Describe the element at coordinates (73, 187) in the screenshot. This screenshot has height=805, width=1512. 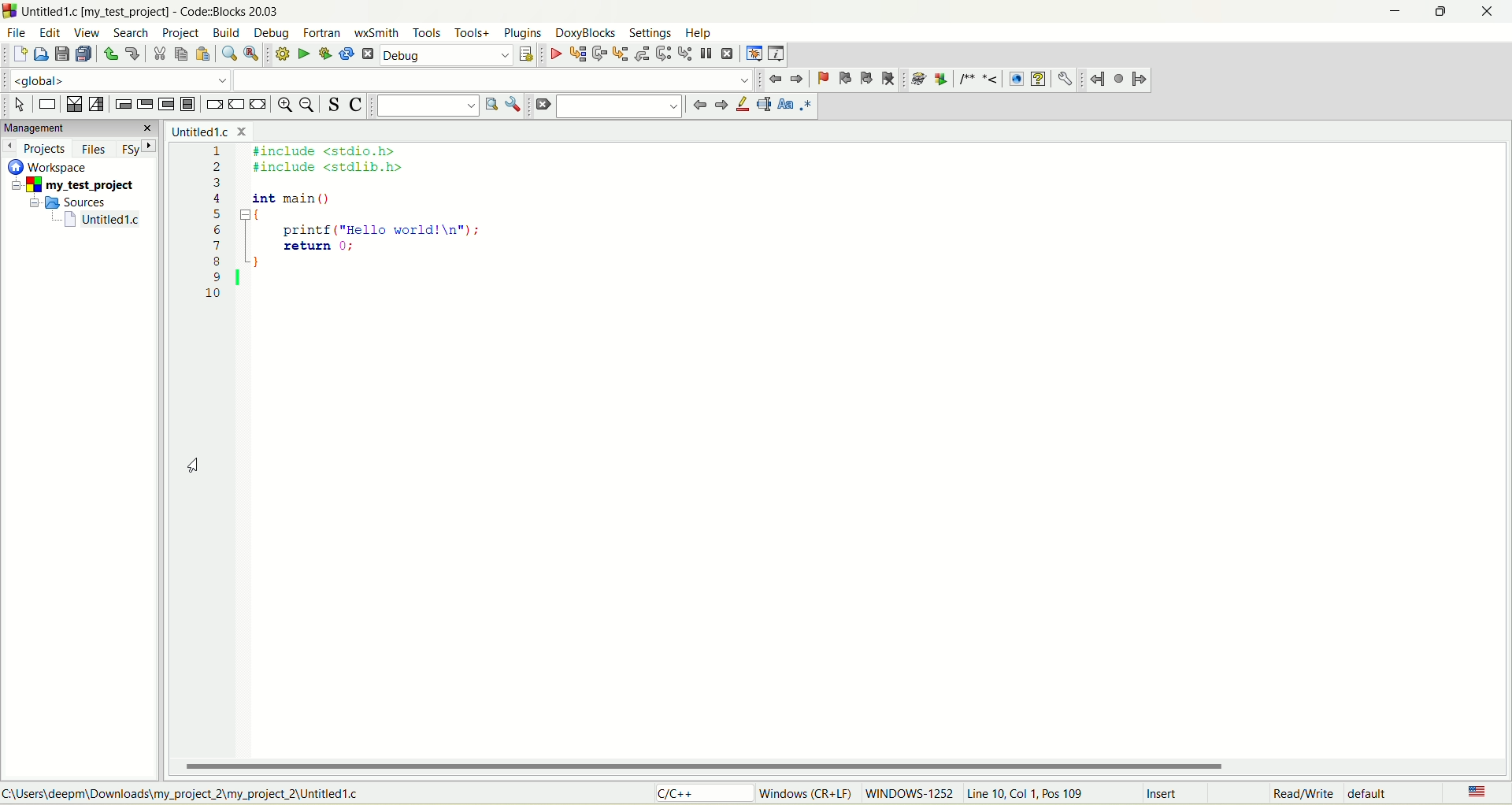
I see `project` at that location.